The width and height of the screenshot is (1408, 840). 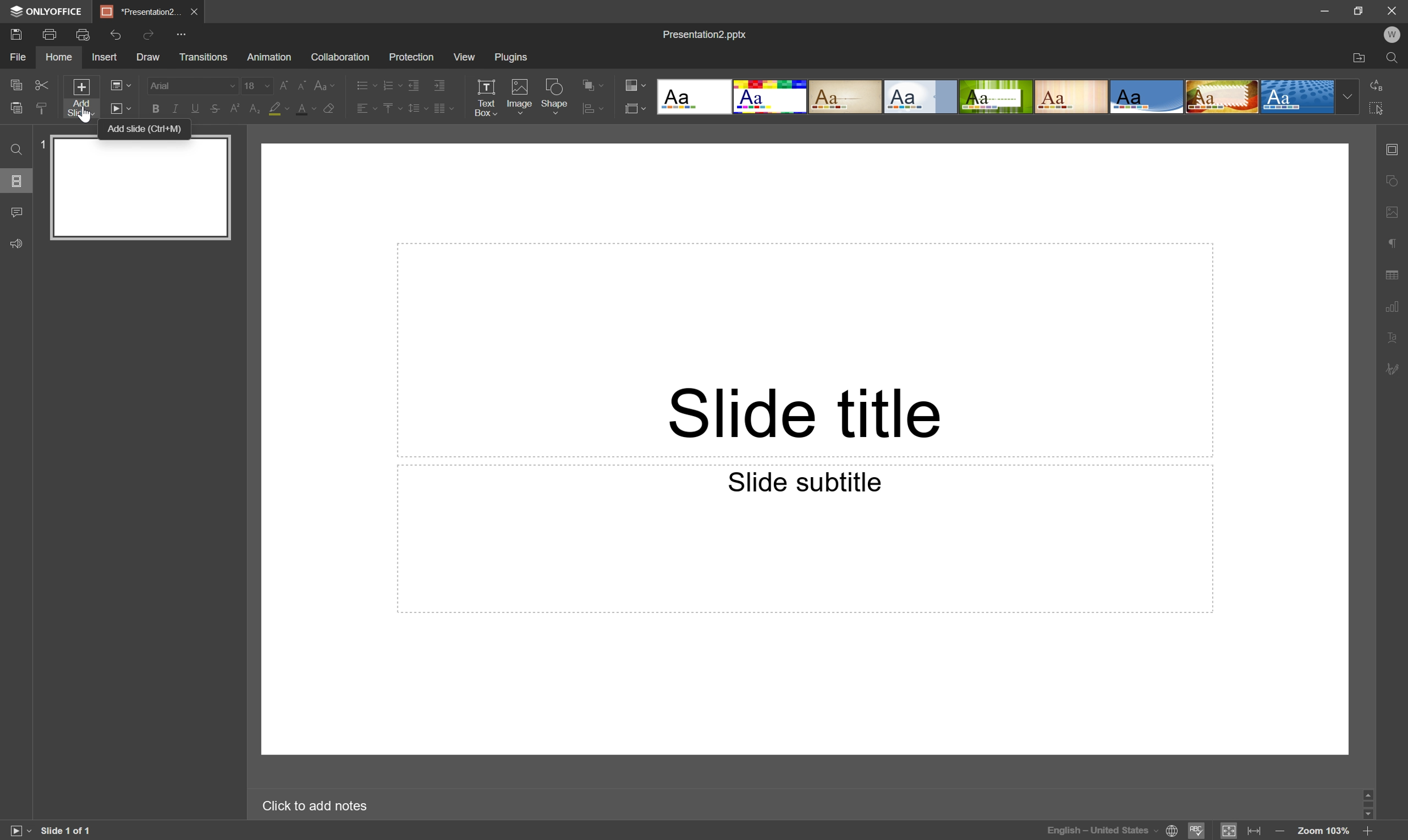 What do you see at coordinates (255, 83) in the screenshot?
I see `18` at bounding box center [255, 83].